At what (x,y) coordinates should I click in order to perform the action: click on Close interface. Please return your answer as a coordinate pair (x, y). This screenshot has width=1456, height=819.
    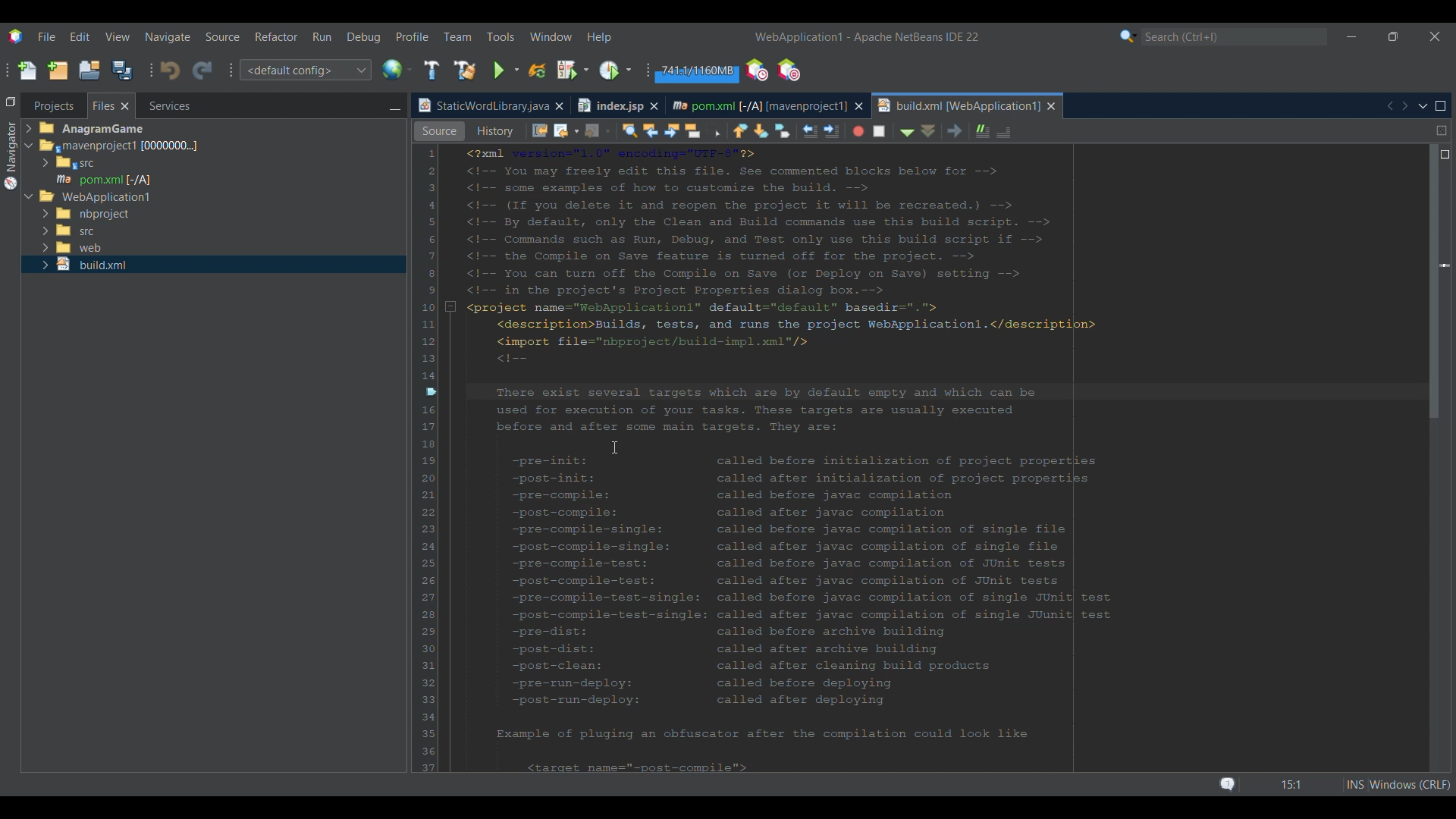
    Looking at the image, I should click on (1436, 36).